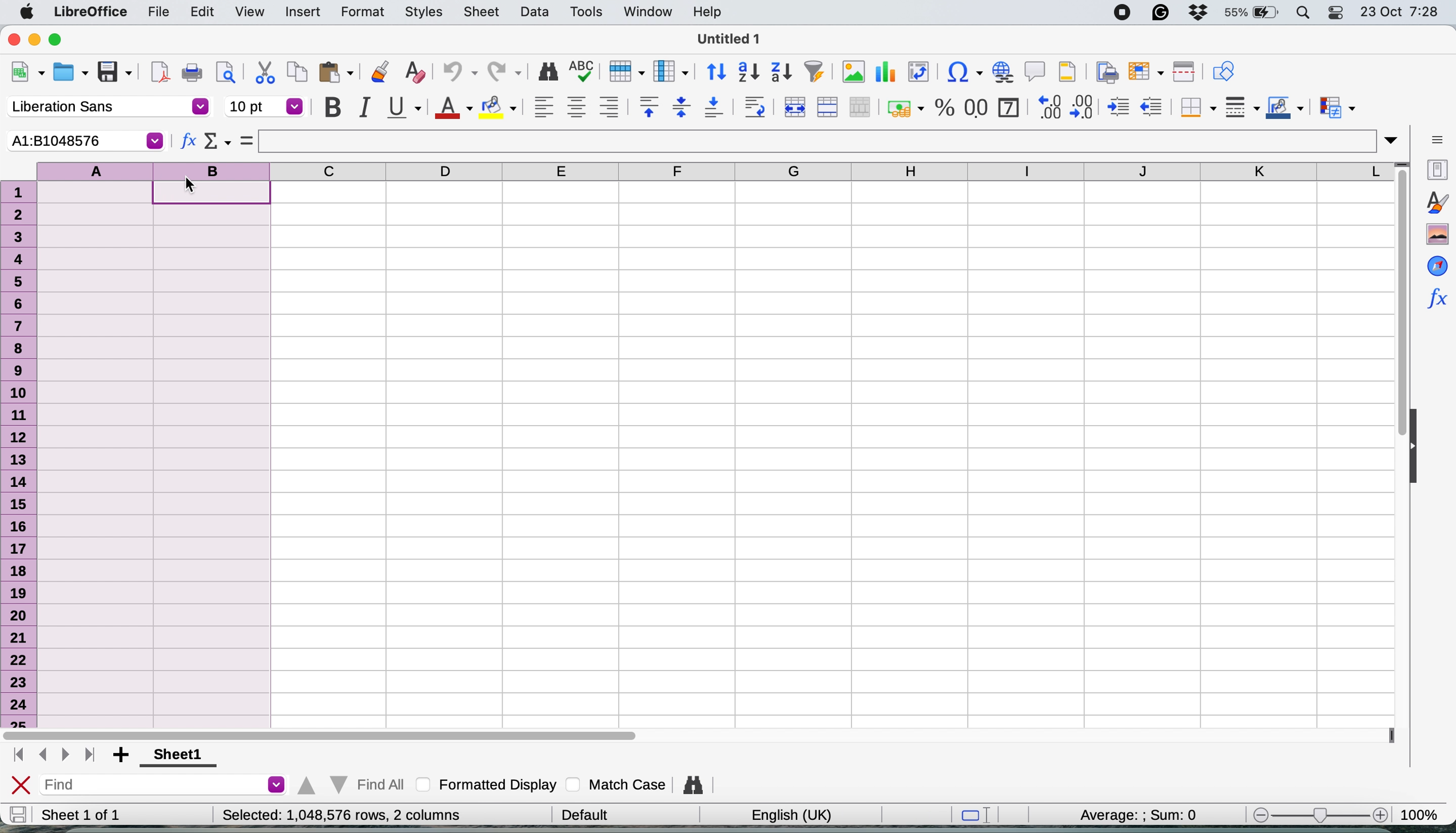  I want to click on sheet, so click(486, 11).